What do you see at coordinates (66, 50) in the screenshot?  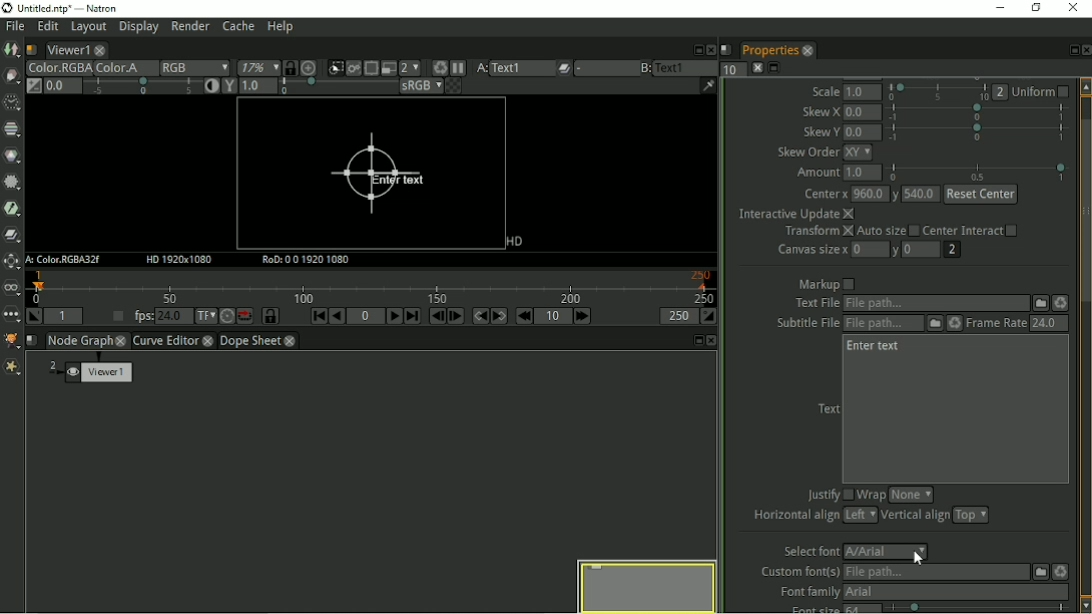 I see `Viewer1` at bounding box center [66, 50].